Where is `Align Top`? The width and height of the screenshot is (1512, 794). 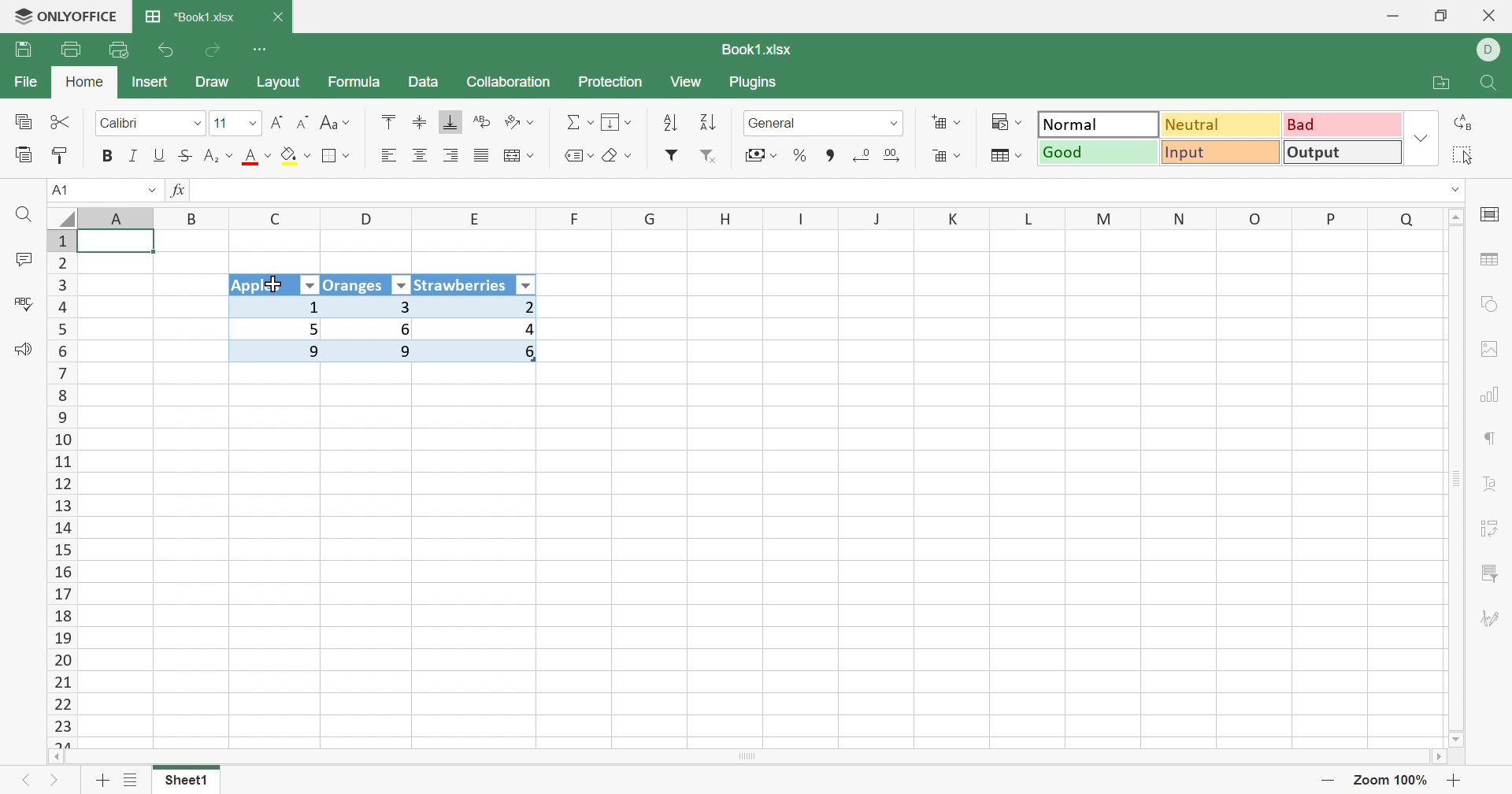 Align Top is located at coordinates (386, 121).